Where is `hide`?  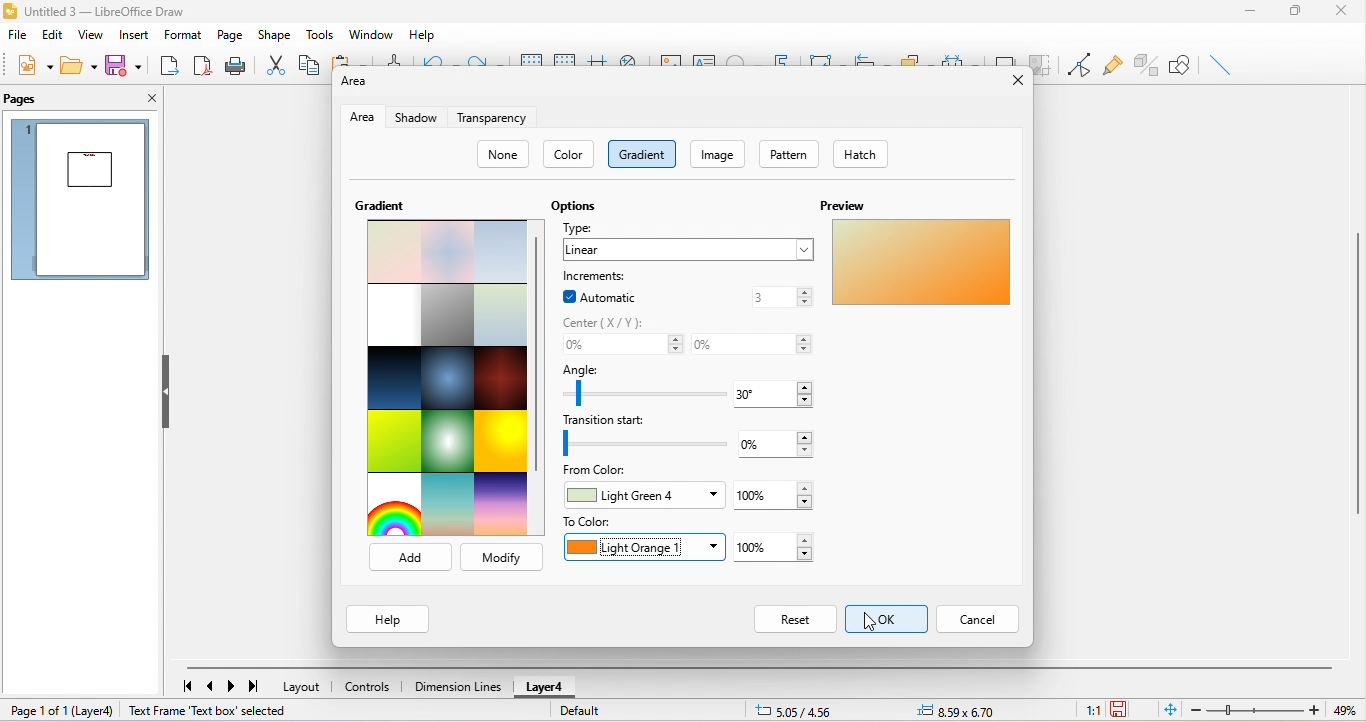
hide is located at coordinates (171, 390).